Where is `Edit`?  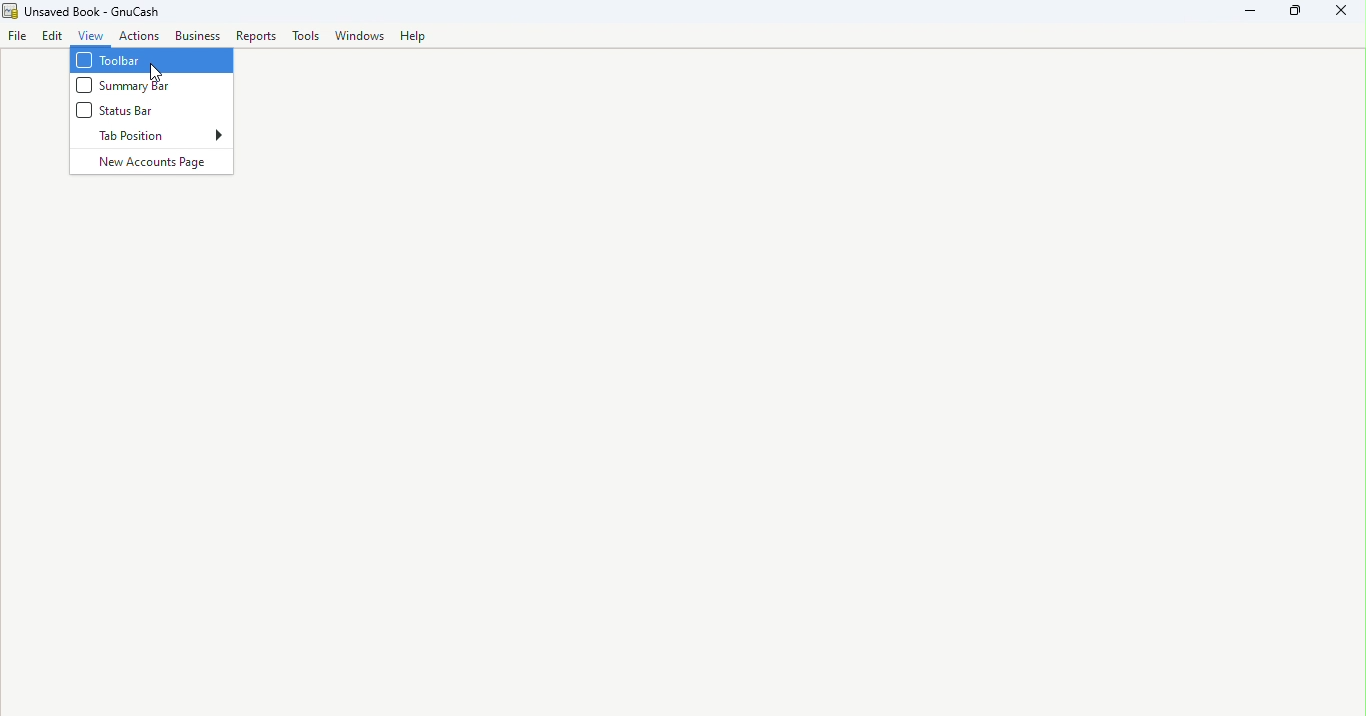 Edit is located at coordinates (54, 38).